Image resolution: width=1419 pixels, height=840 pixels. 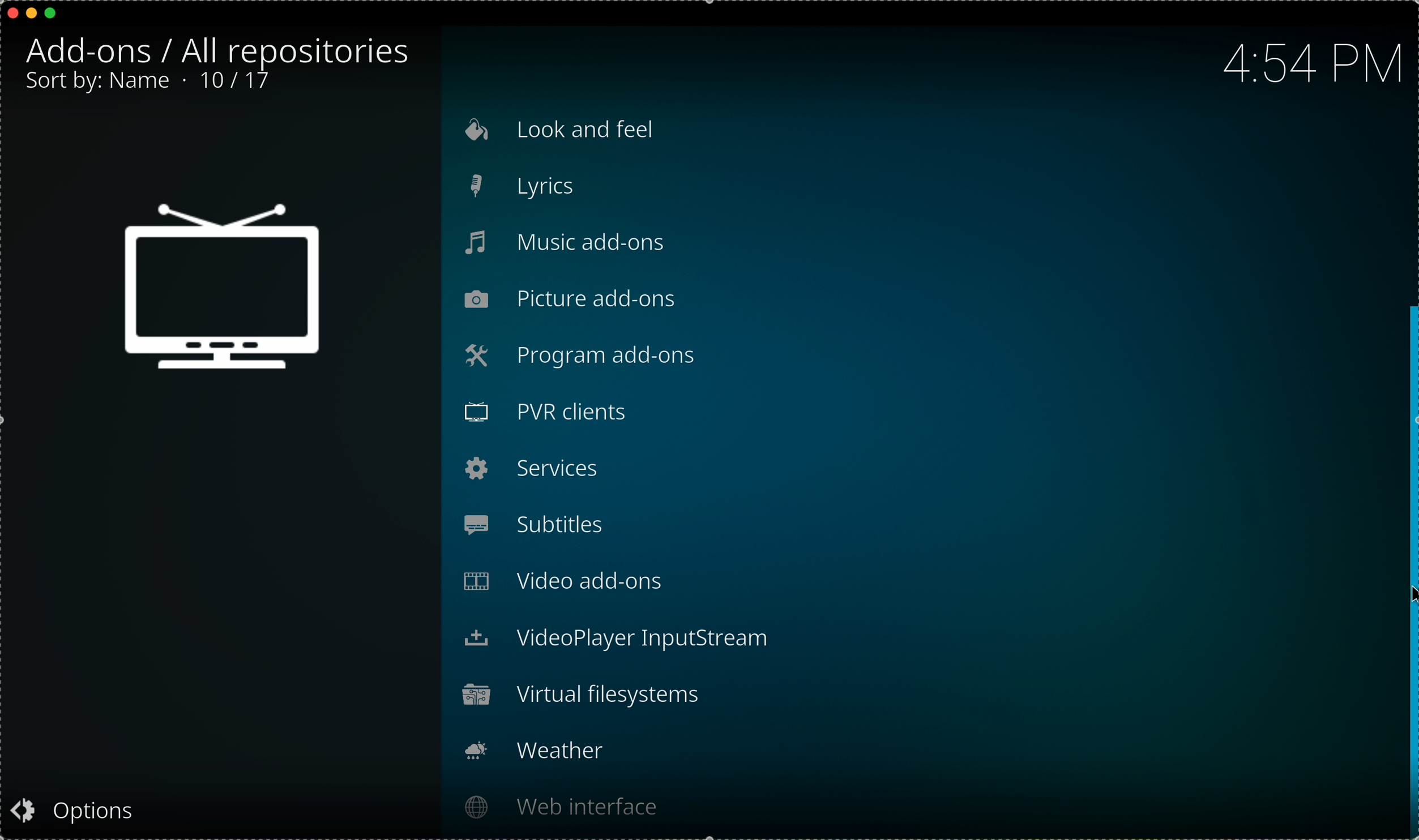 I want to click on PVR clients, so click(x=566, y=413).